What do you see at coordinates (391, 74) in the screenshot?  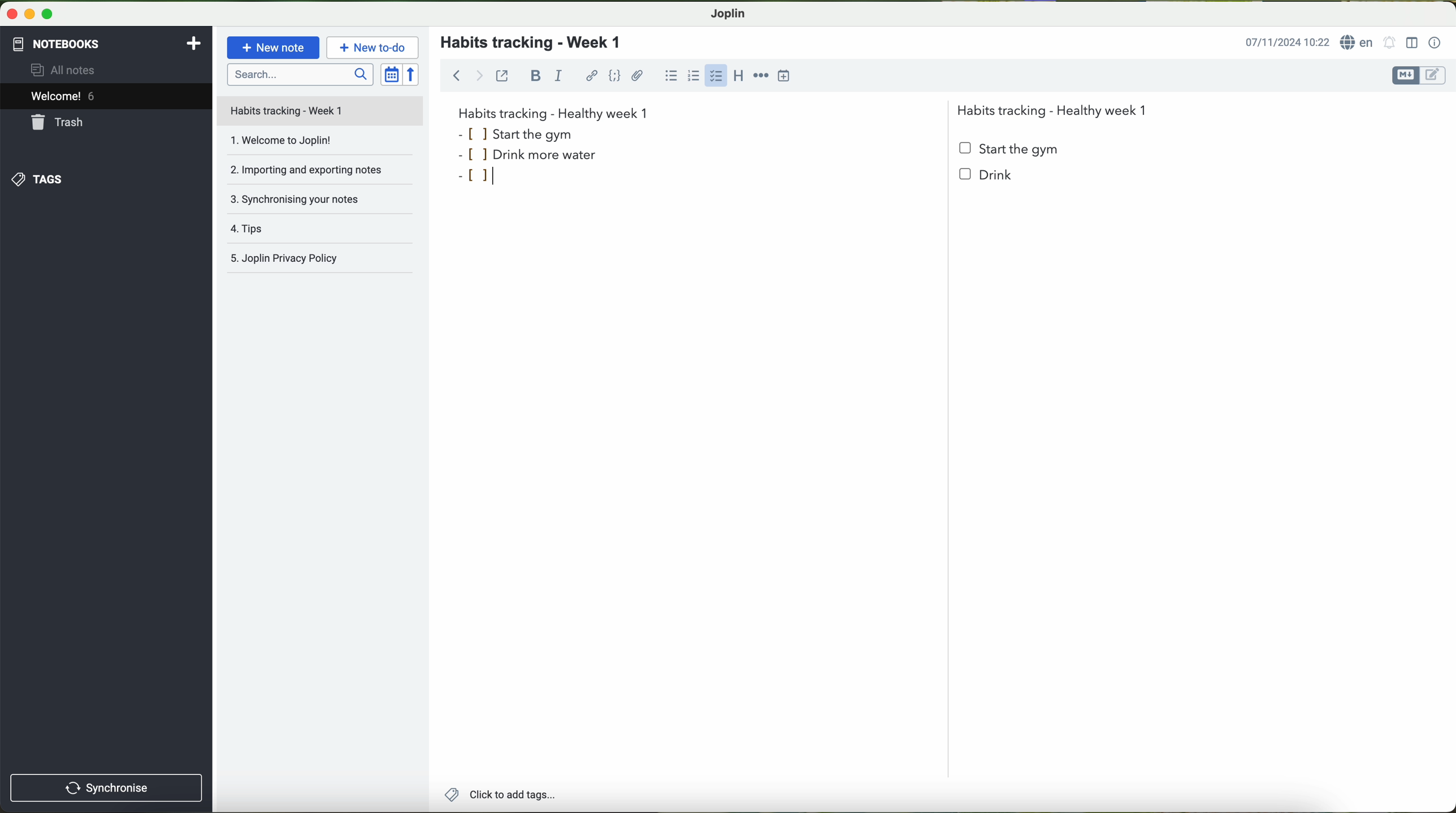 I see `toggle sort order field` at bounding box center [391, 74].